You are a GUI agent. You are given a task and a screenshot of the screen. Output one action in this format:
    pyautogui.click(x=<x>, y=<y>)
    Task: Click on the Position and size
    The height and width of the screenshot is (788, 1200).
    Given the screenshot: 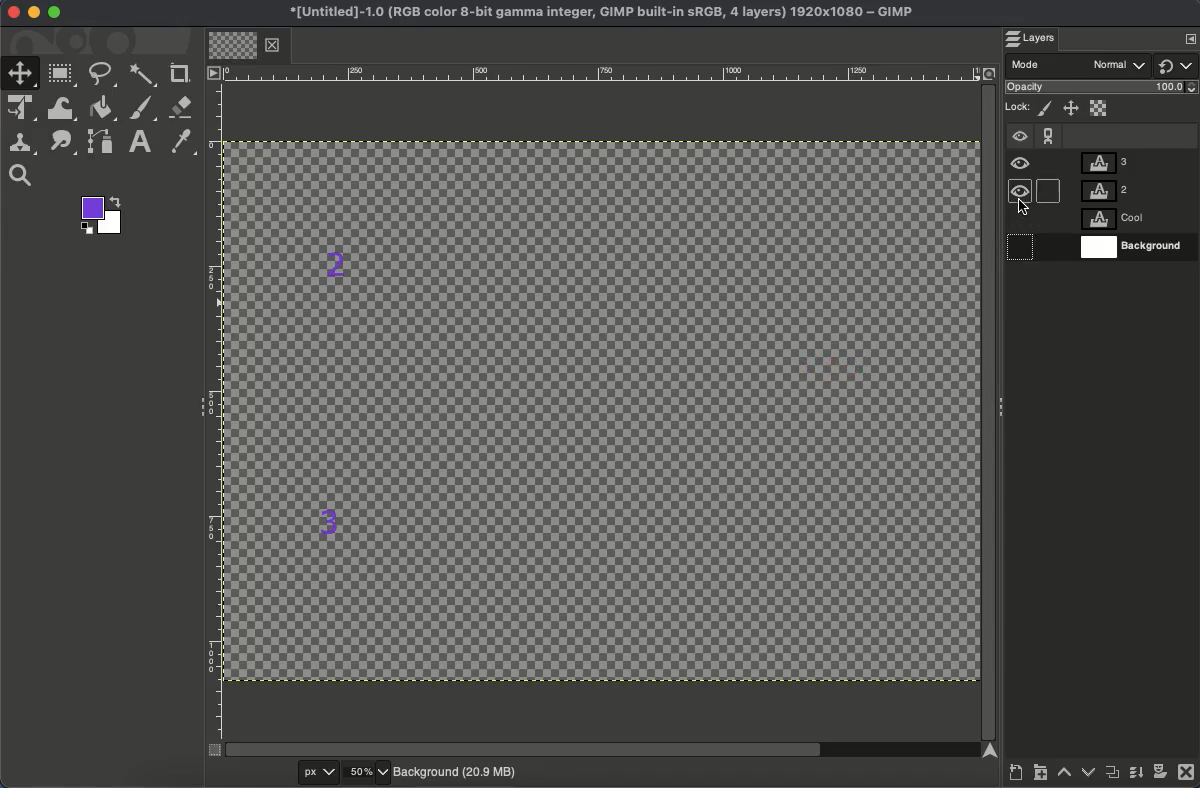 What is the action you would take?
    pyautogui.click(x=1072, y=110)
    